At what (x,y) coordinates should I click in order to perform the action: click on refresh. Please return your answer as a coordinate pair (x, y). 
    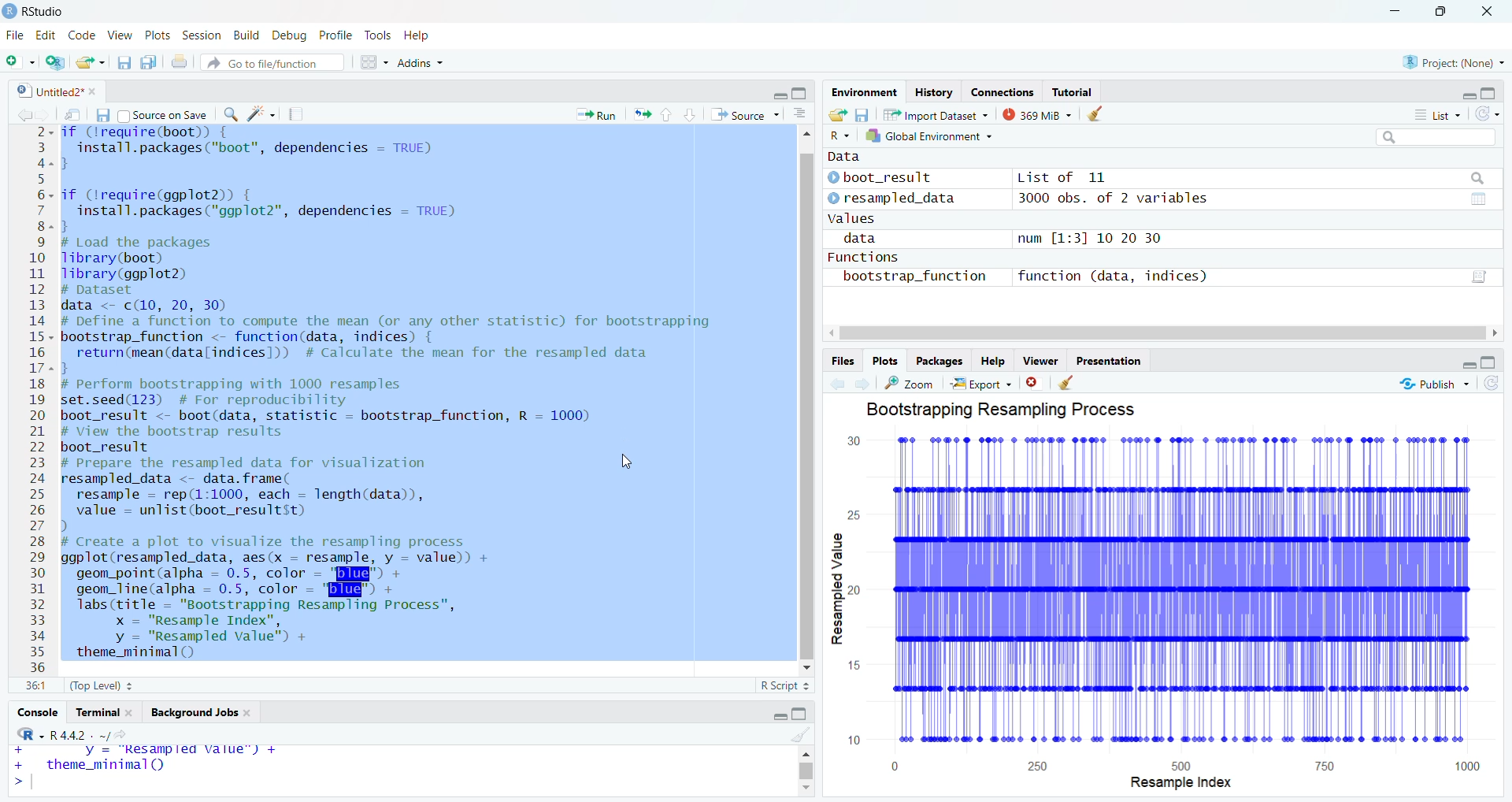
    Looking at the image, I should click on (1486, 113).